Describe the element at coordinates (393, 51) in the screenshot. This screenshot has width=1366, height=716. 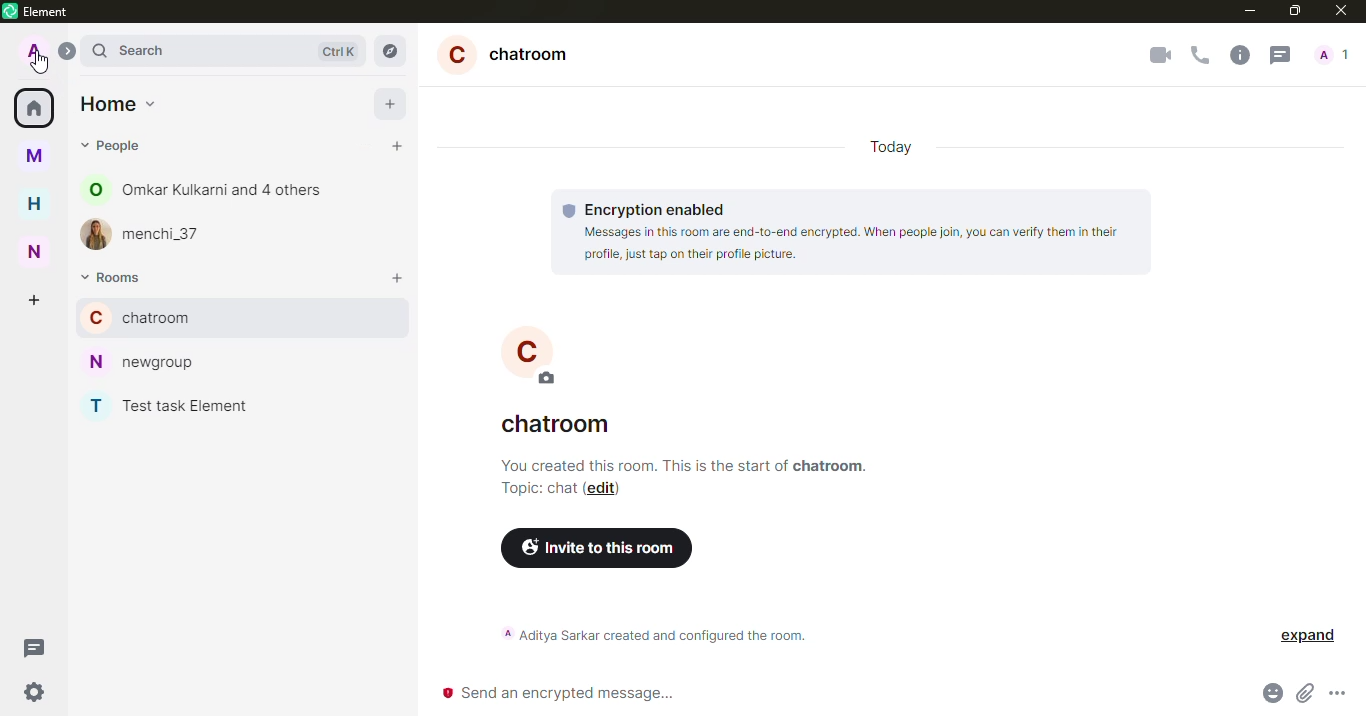
I see `explore rooms` at that location.